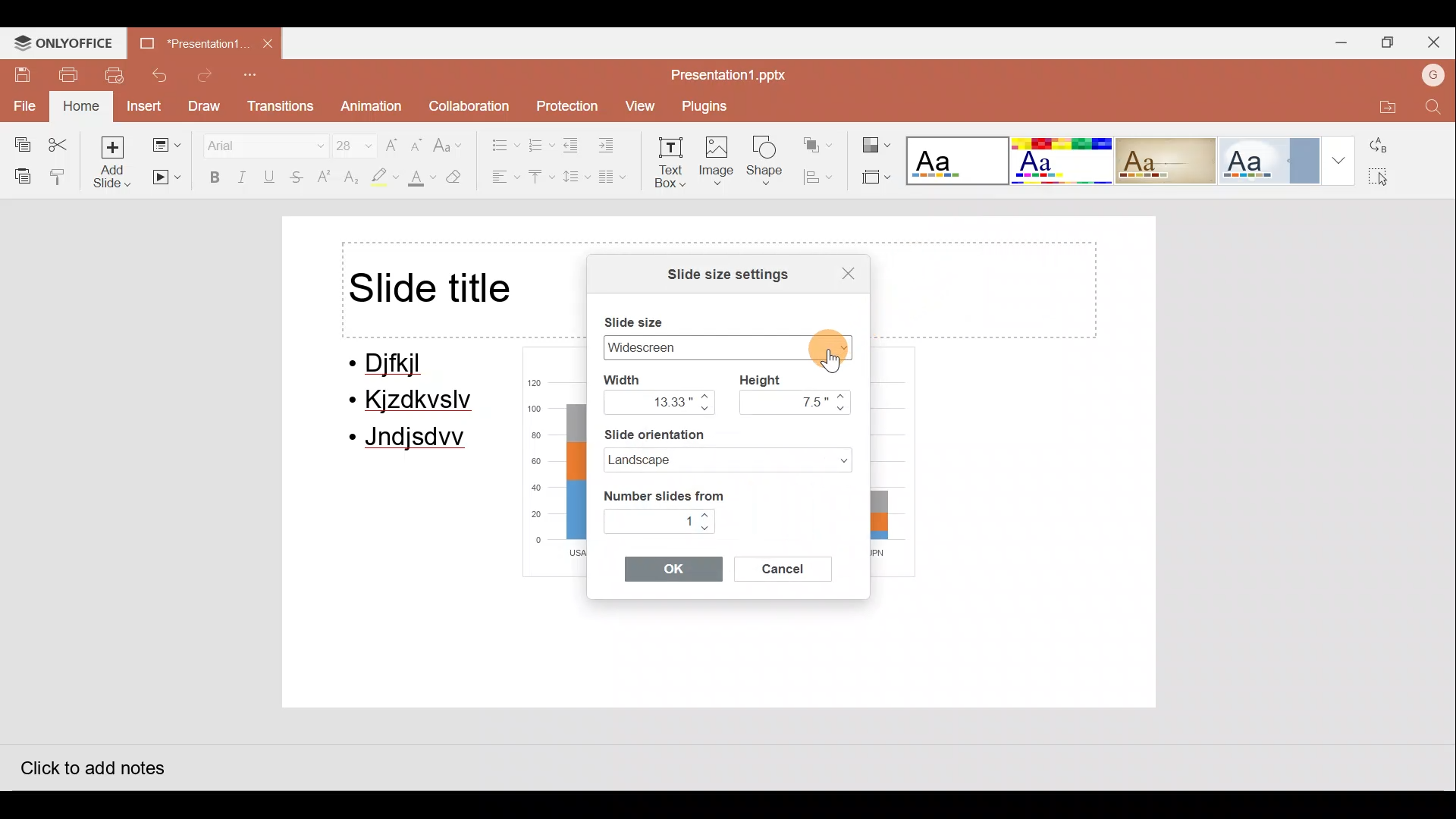 This screenshot has height=819, width=1456. What do you see at coordinates (844, 409) in the screenshot?
I see `Navigate down` at bounding box center [844, 409].